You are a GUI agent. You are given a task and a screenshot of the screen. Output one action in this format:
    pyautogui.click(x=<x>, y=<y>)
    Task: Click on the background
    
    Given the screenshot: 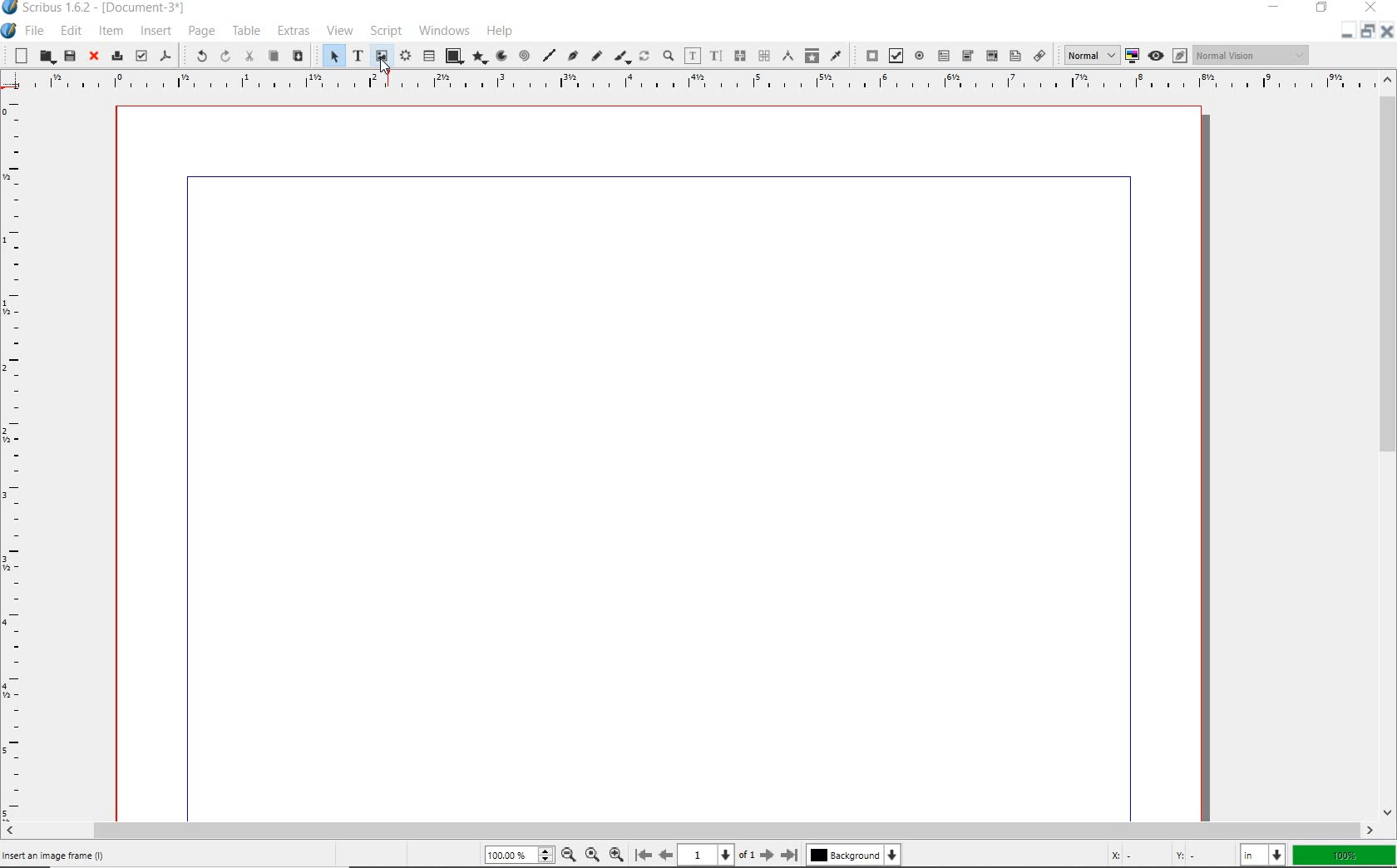 What is the action you would take?
    pyautogui.click(x=853, y=856)
    